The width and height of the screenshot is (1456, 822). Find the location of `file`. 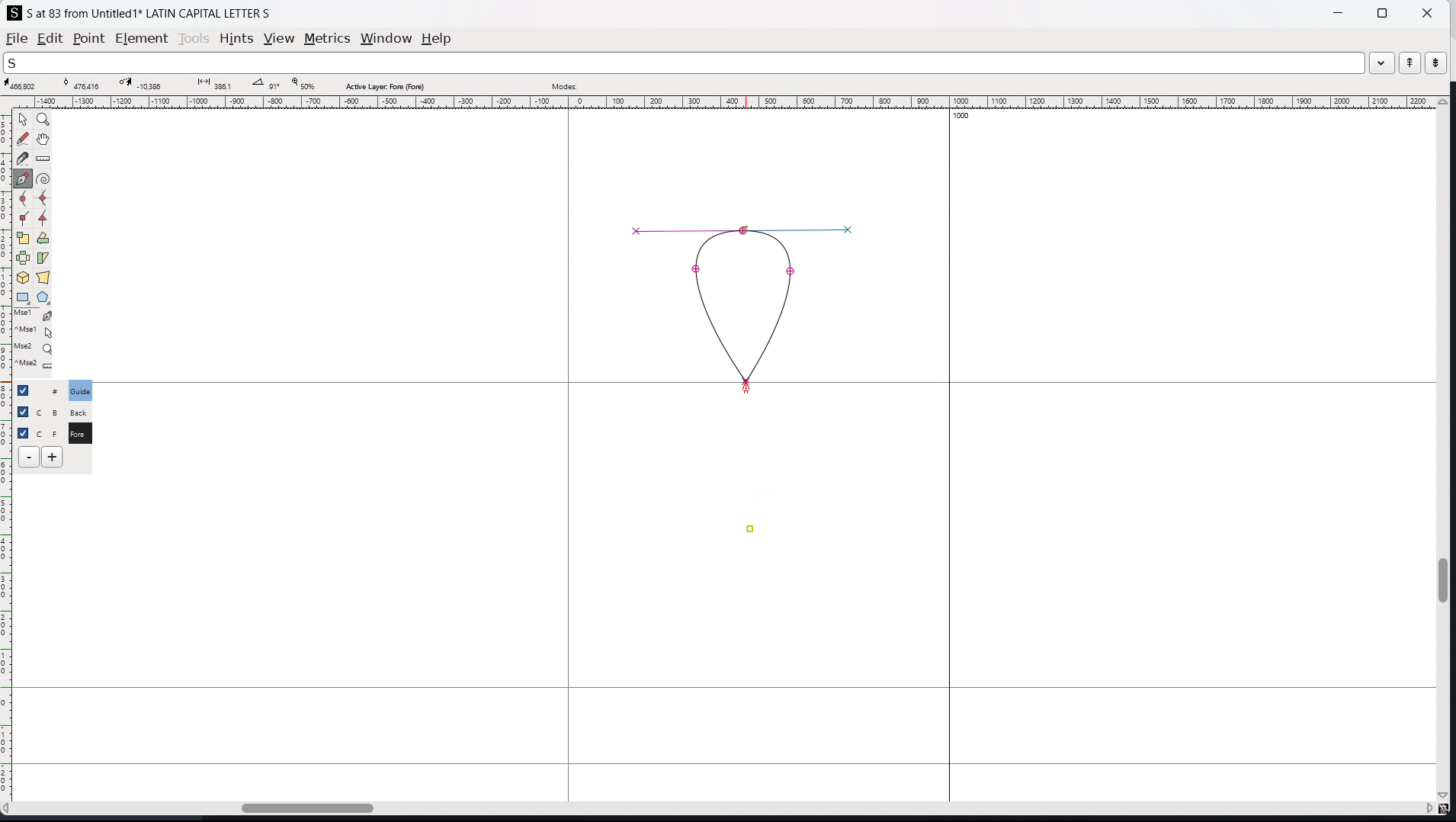

file is located at coordinates (17, 38).